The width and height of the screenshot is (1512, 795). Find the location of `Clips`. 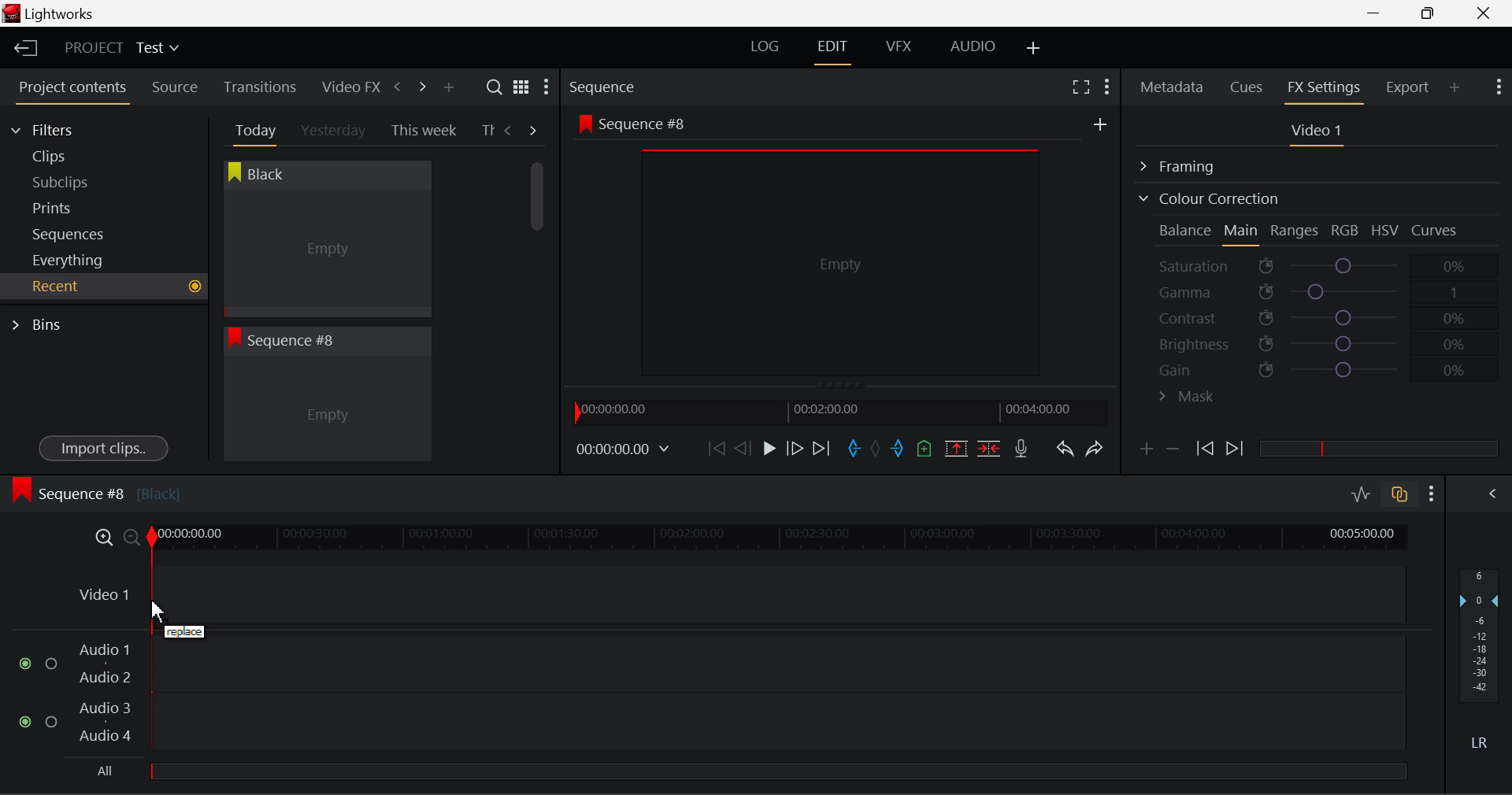

Clips is located at coordinates (77, 156).